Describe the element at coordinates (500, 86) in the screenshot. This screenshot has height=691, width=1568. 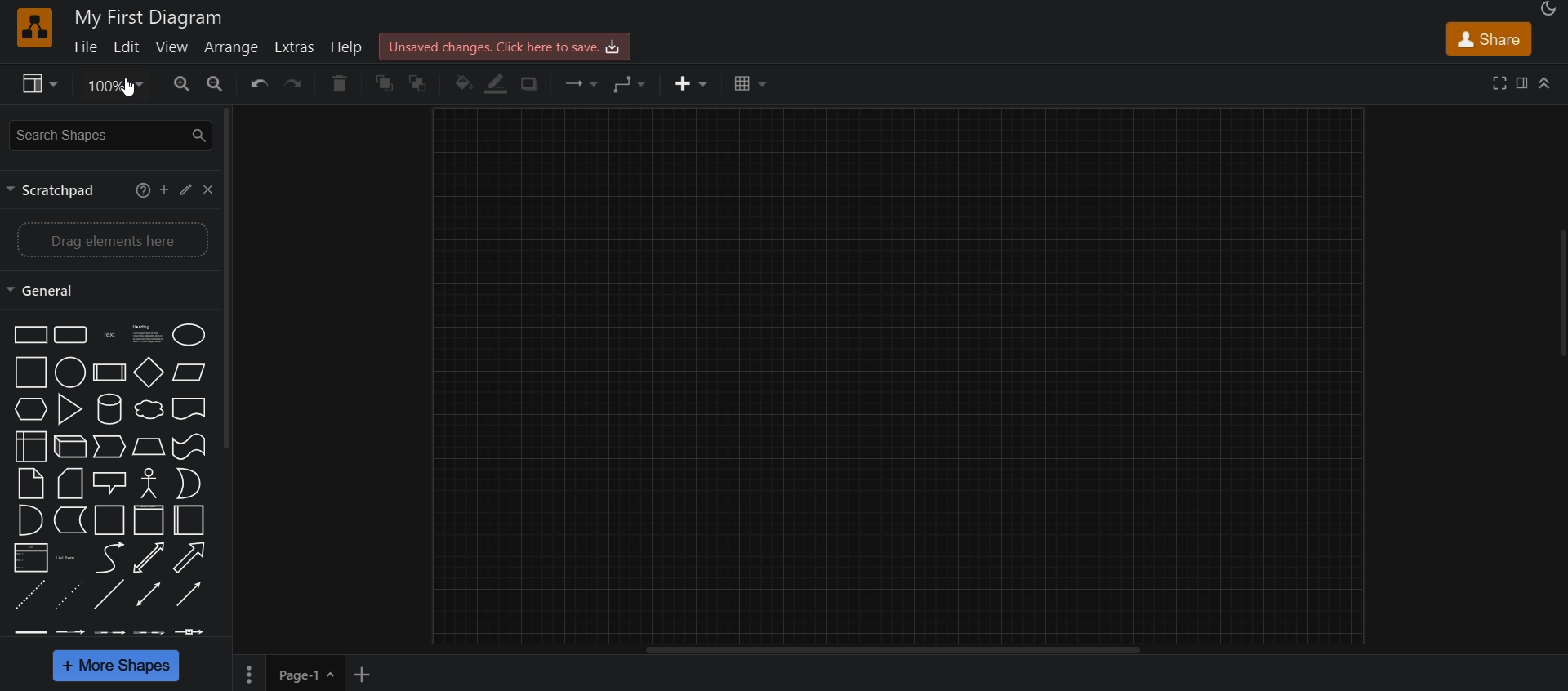
I see `line color` at that location.